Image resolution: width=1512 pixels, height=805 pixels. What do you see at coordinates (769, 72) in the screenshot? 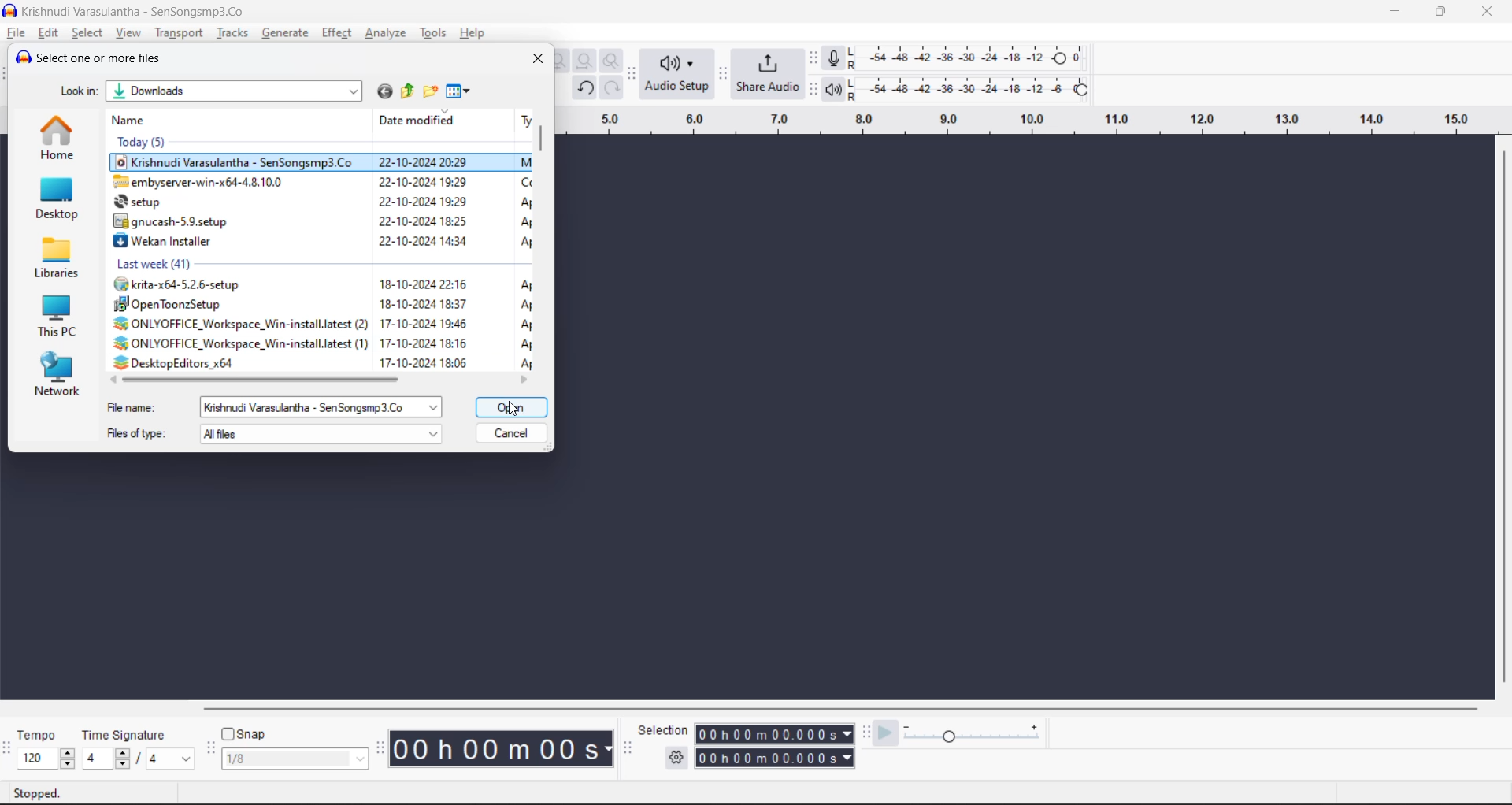
I see `share audio` at bounding box center [769, 72].